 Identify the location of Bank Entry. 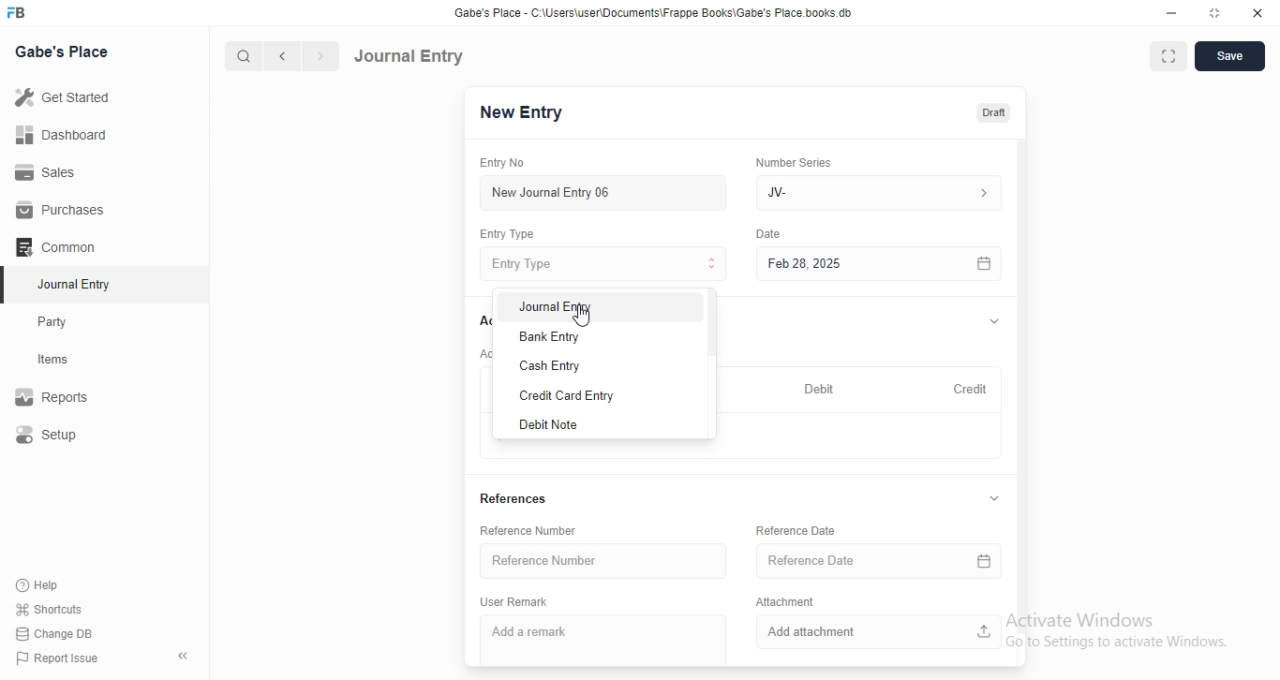
(607, 338).